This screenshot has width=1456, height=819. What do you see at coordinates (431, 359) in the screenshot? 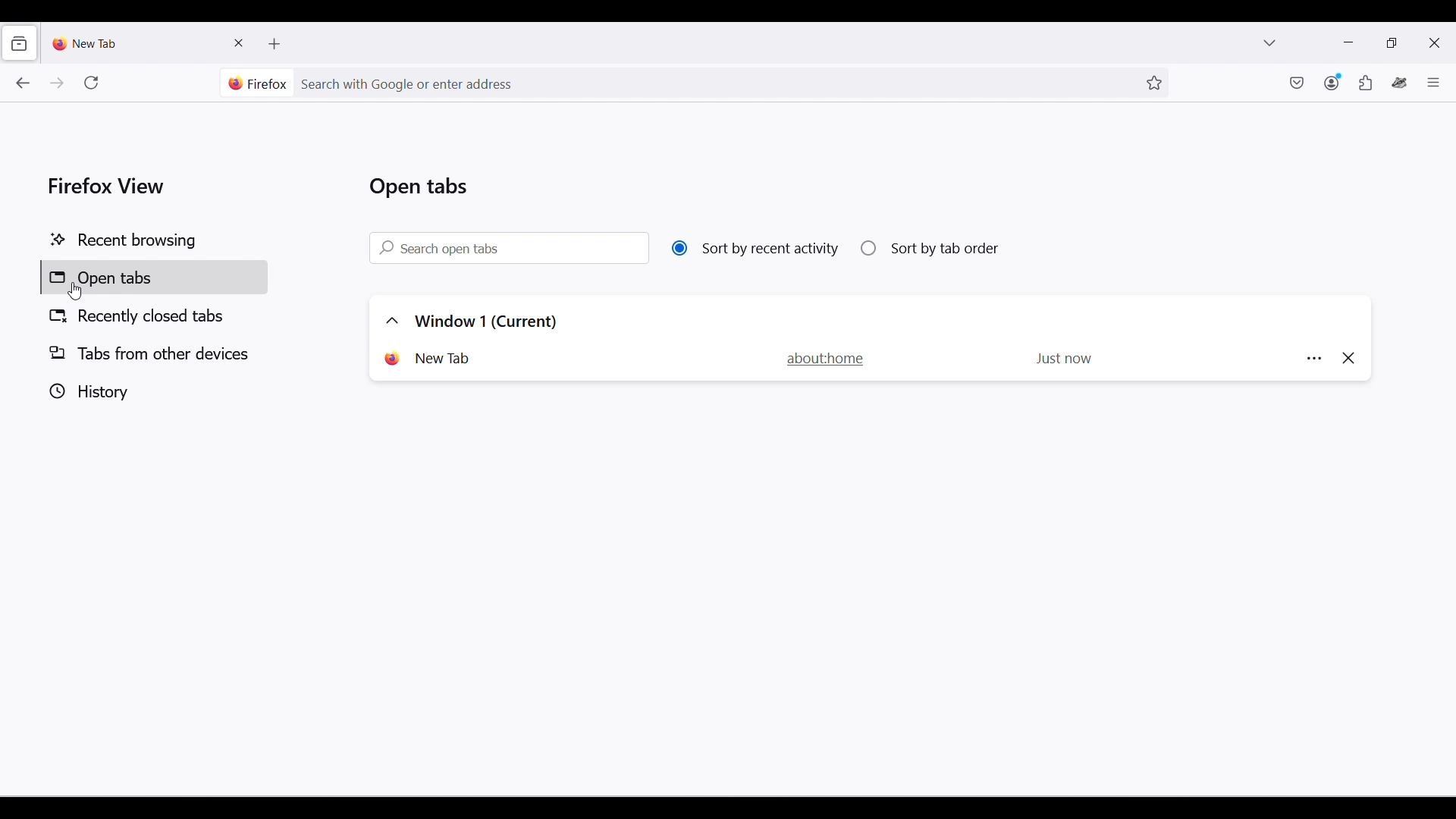
I see `Current Open tab` at bounding box center [431, 359].